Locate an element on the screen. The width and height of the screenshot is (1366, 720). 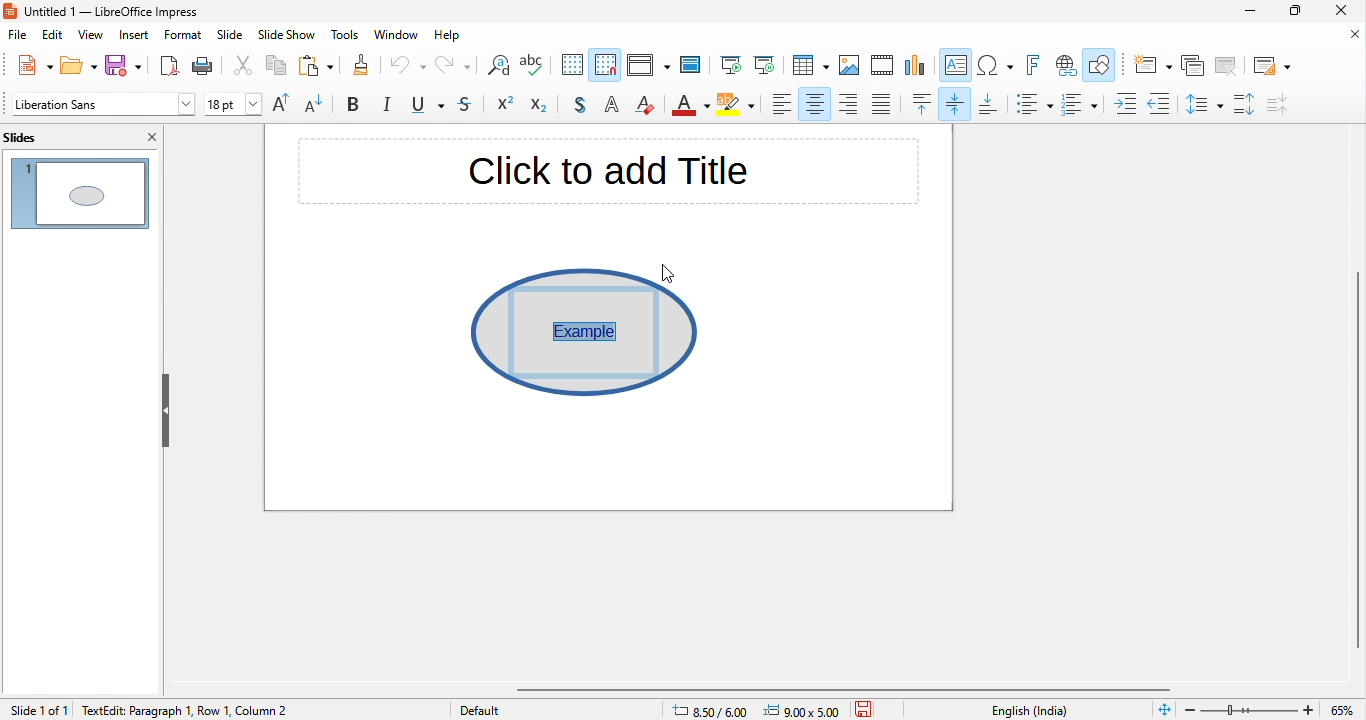
format is located at coordinates (183, 36).